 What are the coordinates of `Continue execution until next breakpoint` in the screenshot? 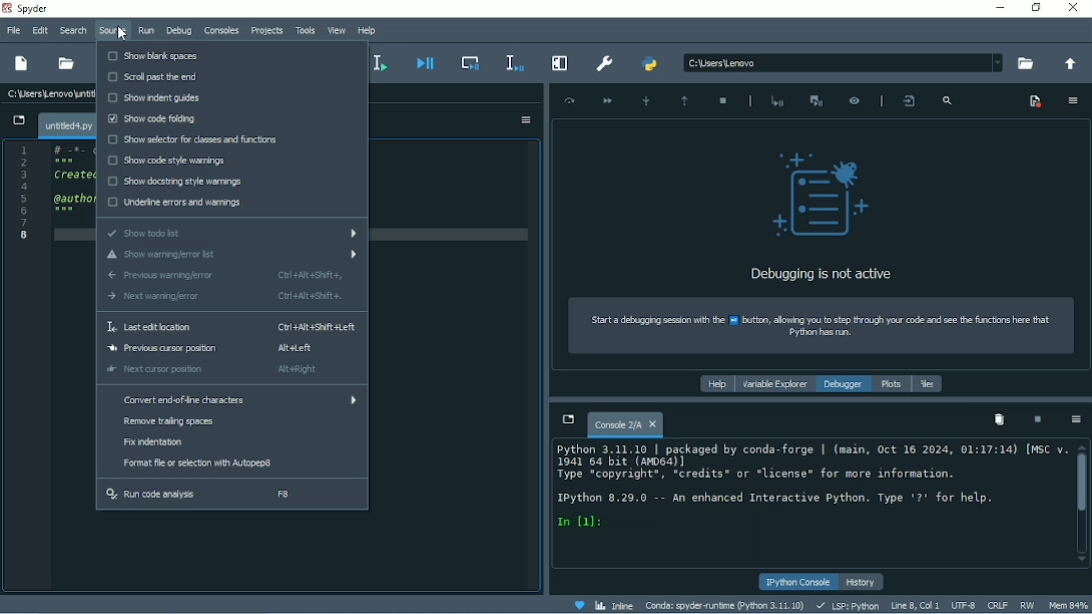 It's located at (608, 101).